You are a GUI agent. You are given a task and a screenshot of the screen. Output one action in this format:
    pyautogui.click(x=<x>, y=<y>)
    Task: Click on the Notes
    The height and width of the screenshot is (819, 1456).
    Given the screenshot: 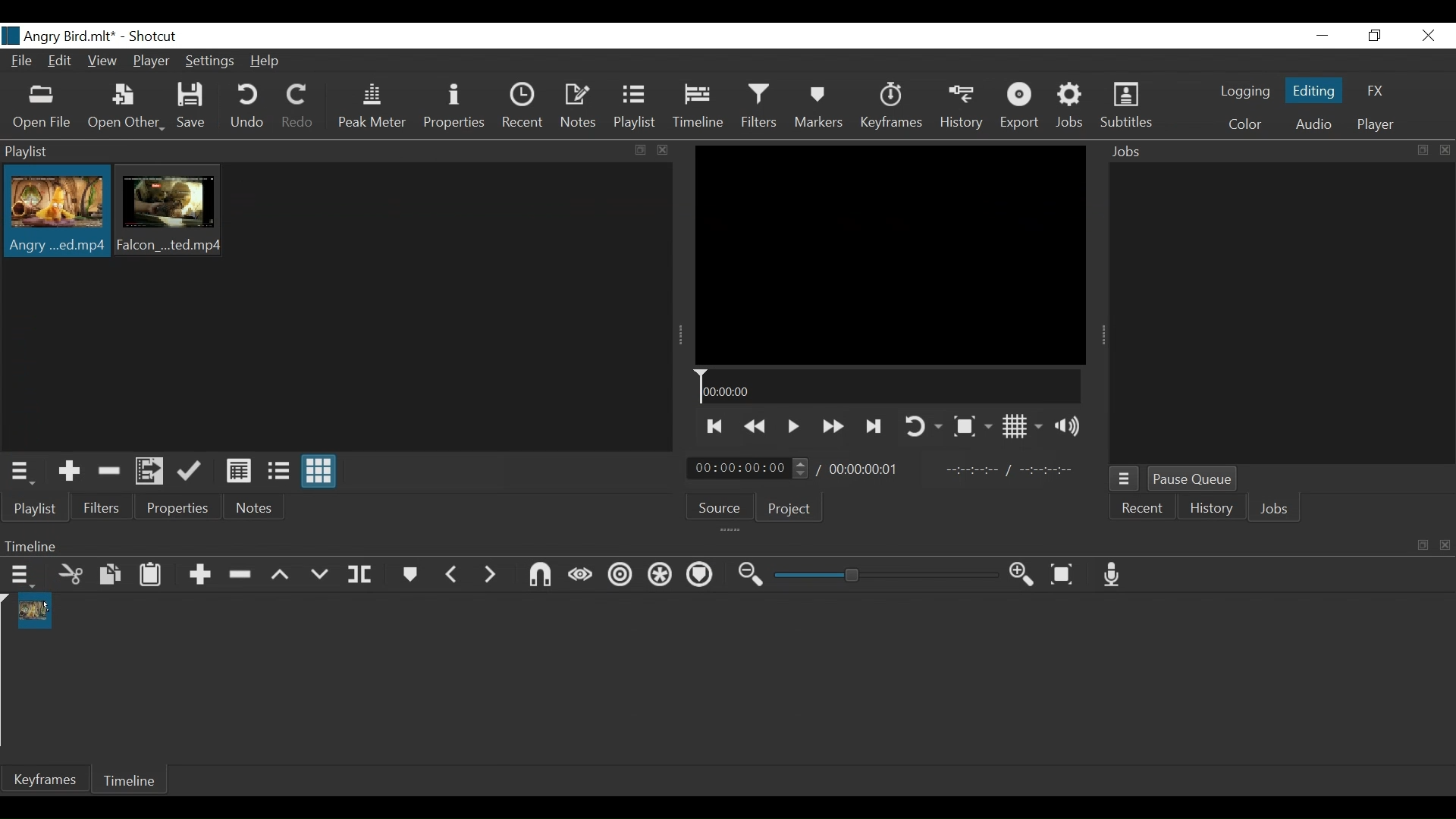 What is the action you would take?
    pyautogui.click(x=579, y=108)
    